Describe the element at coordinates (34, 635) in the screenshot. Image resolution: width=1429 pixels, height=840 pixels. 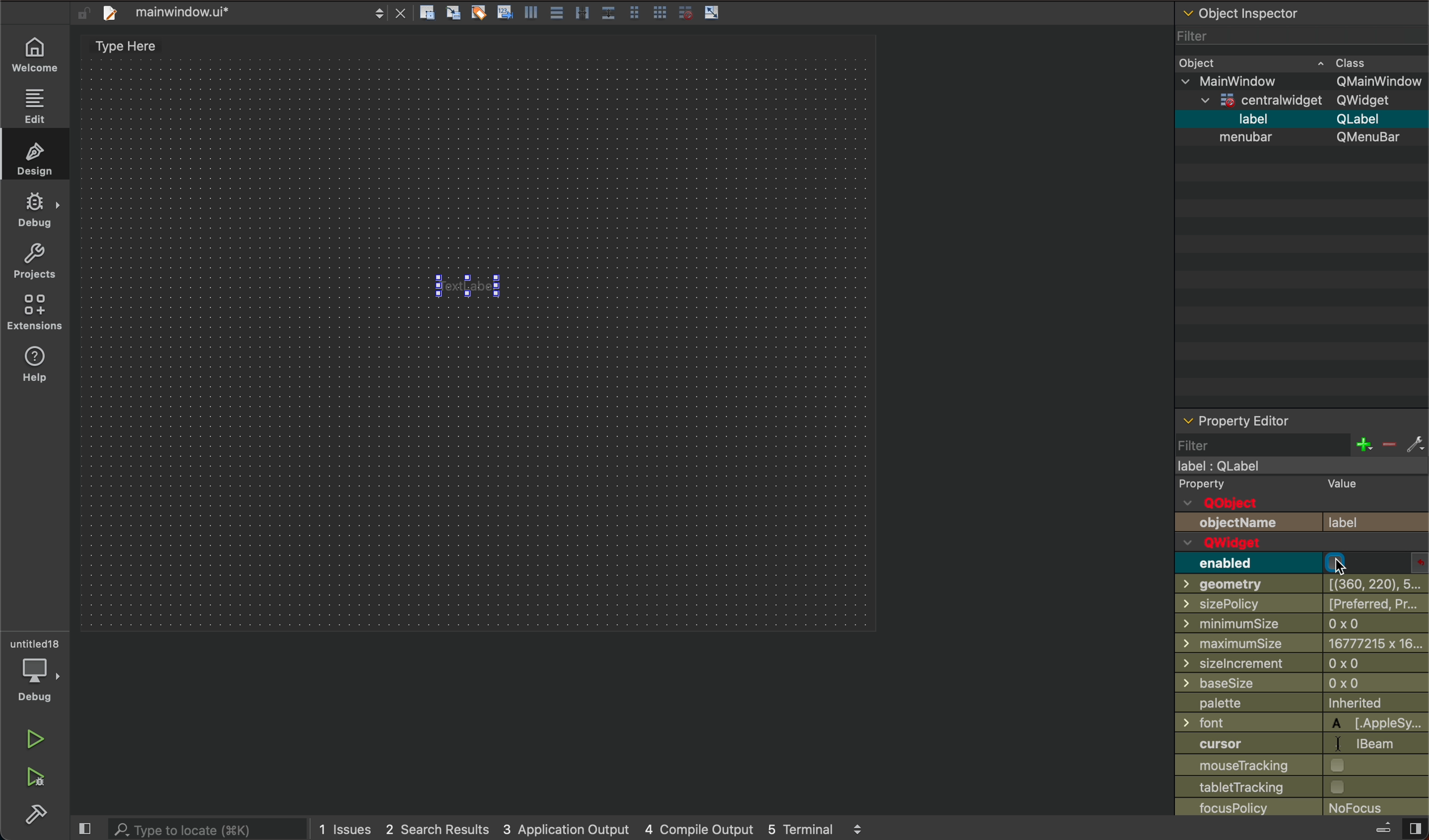
I see `untitled` at that location.